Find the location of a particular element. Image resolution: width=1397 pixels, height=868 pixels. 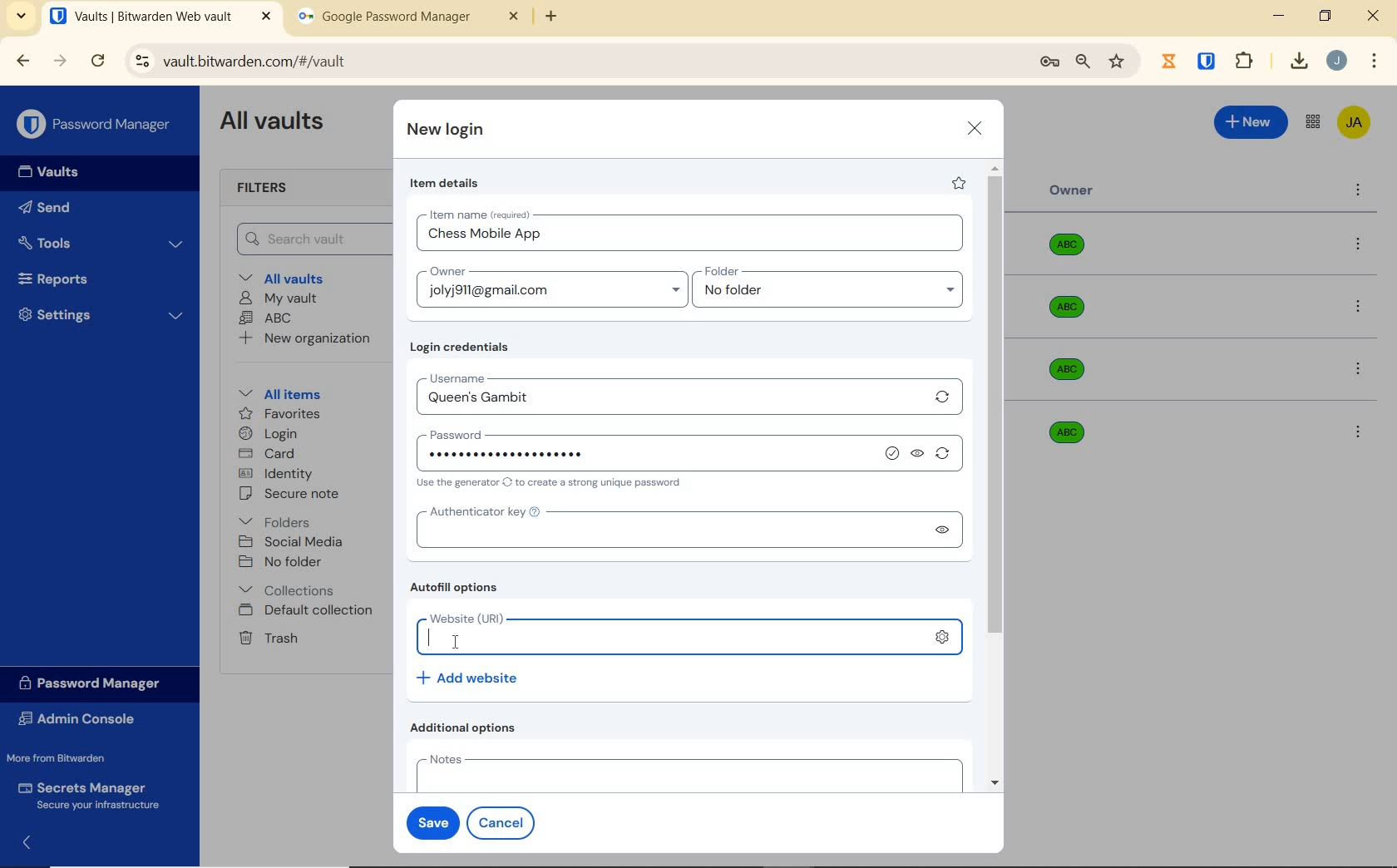

Use the generator O to create a strong unique password is located at coordinates (552, 484).